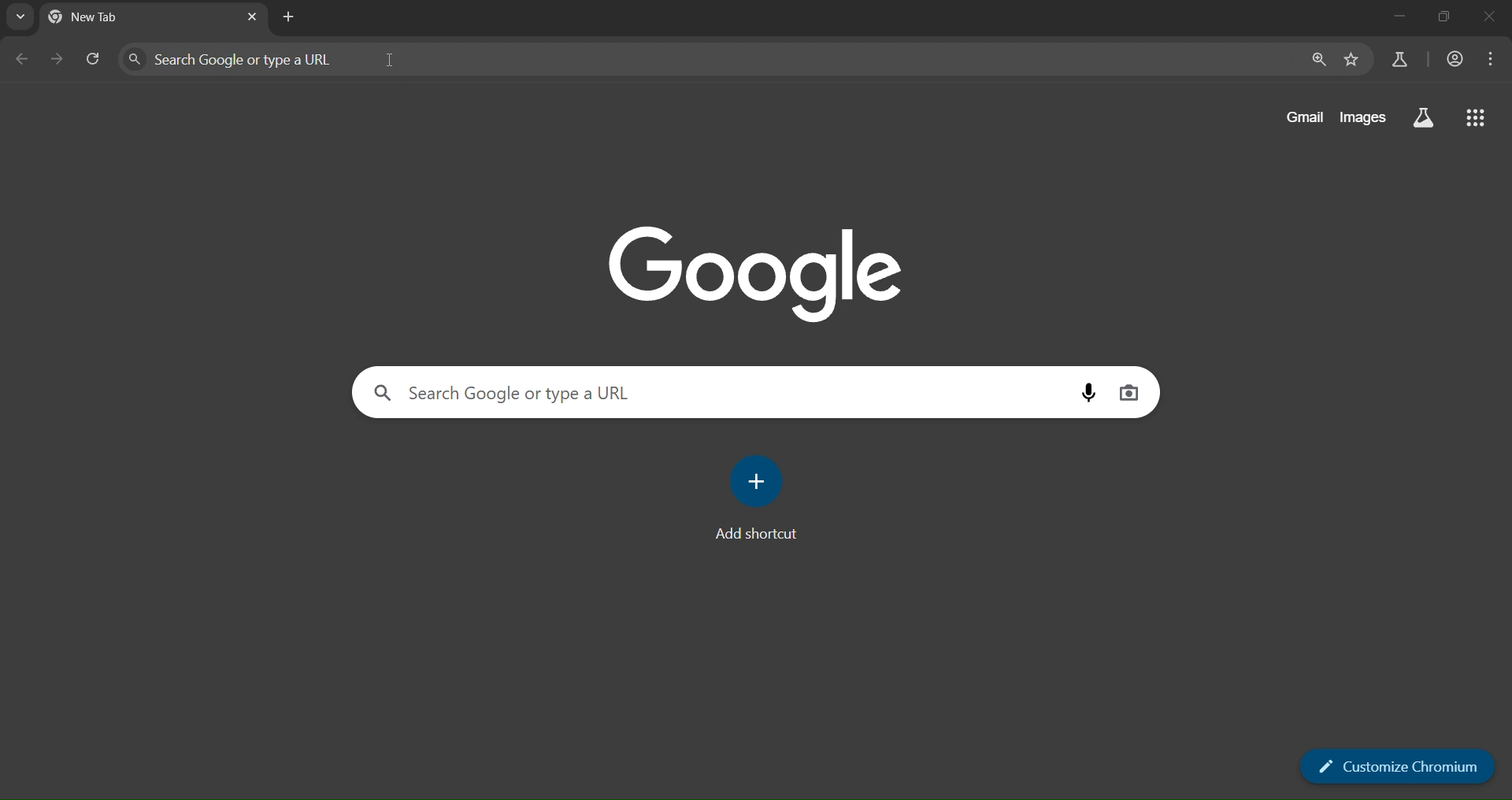 This screenshot has width=1512, height=800. Describe the element at coordinates (1458, 59) in the screenshot. I see `accounts` at that location.